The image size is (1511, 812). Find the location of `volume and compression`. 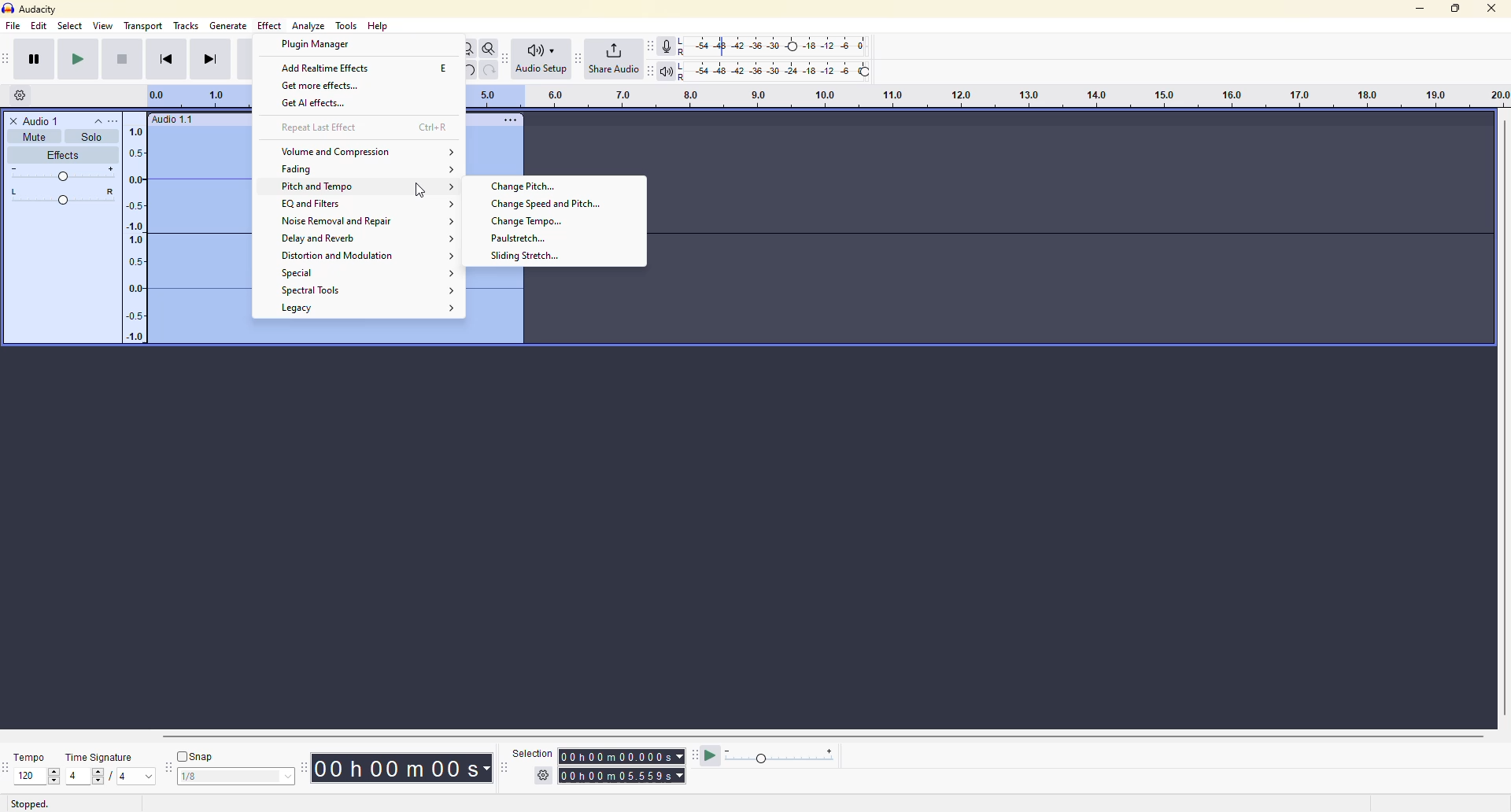

volume and compression is located at coordinates (338, 151).